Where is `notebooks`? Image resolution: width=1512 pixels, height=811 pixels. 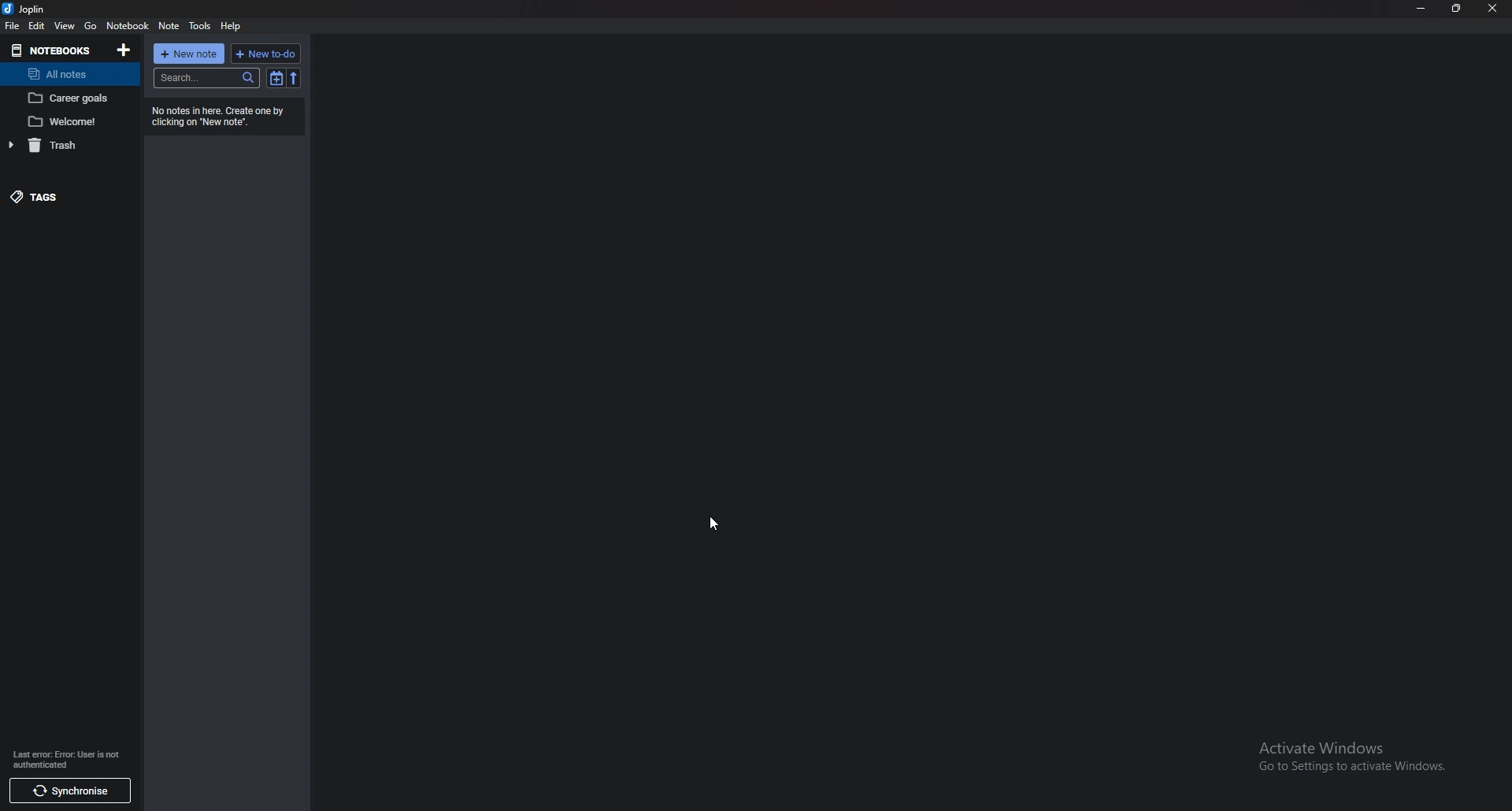 notebooks is located at coordinates (50, 50).